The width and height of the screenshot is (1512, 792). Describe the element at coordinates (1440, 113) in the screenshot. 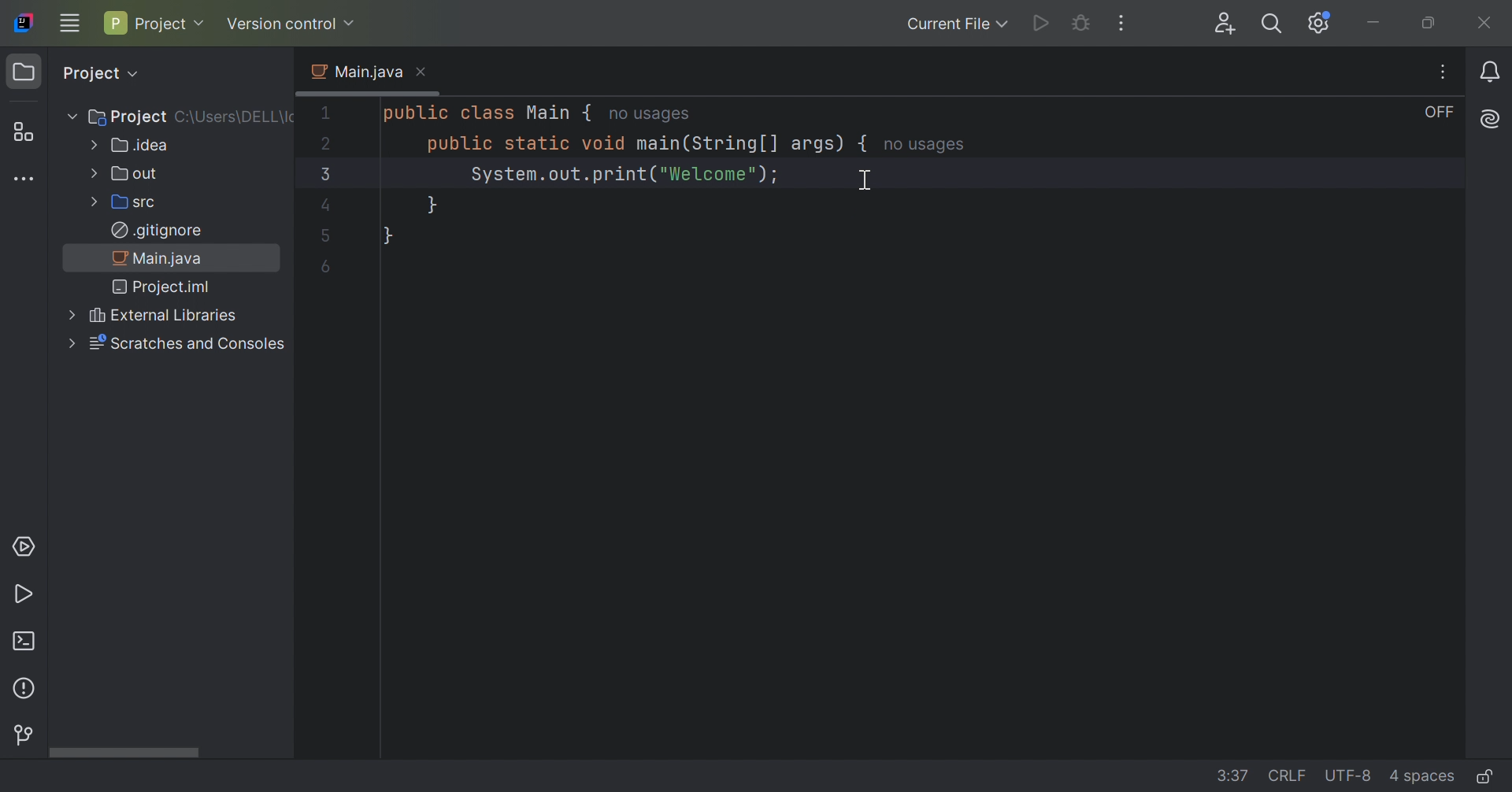

I see `OFF` at that location.